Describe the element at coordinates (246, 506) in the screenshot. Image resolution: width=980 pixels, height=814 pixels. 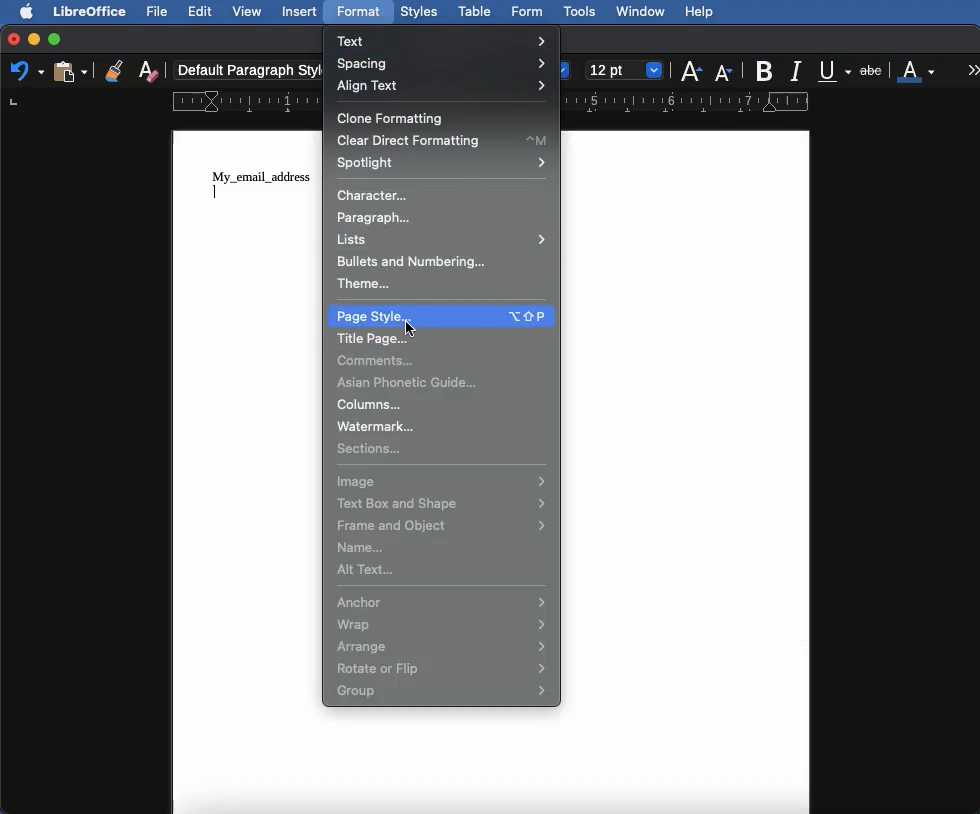
I see `page` at that location.